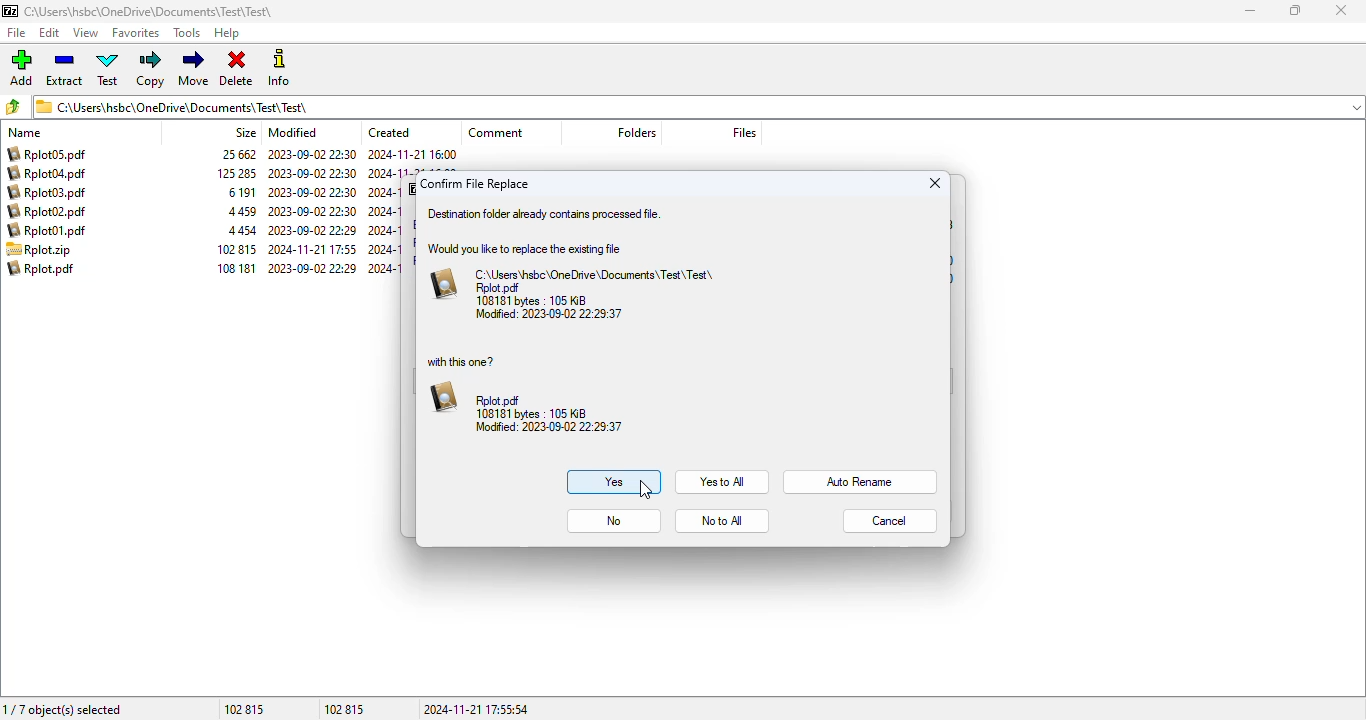 Image resolution: width=1366 pixels, height=720 pixels. What do you see at coordinates (1295, 10) in the screenshot?
I see `maximize` at bounding box center [1295, 10].